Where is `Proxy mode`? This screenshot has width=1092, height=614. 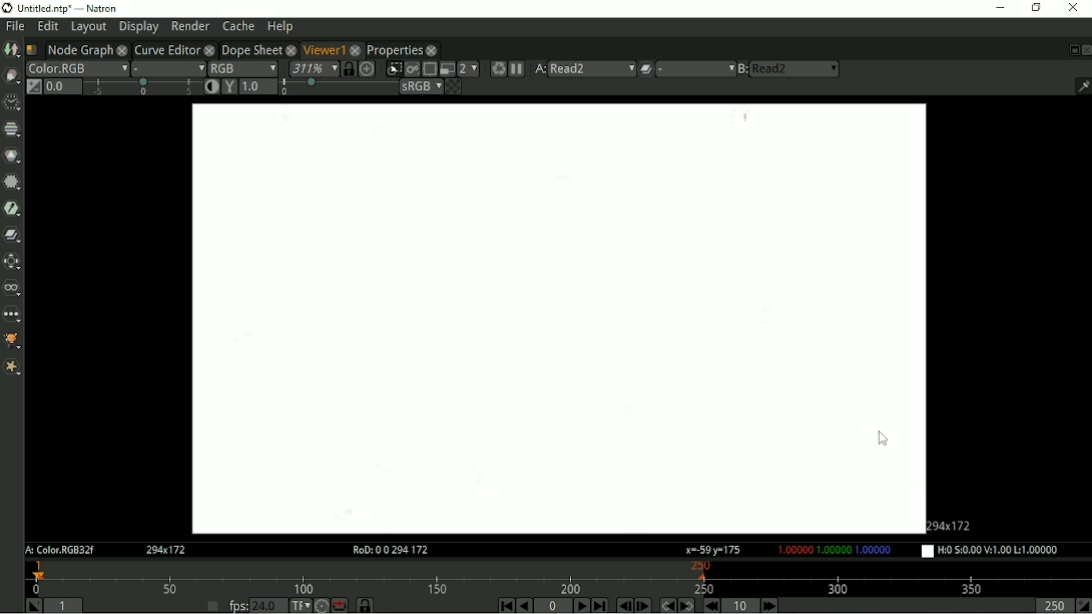 Proxy mode is located at coordinates (446, 69).